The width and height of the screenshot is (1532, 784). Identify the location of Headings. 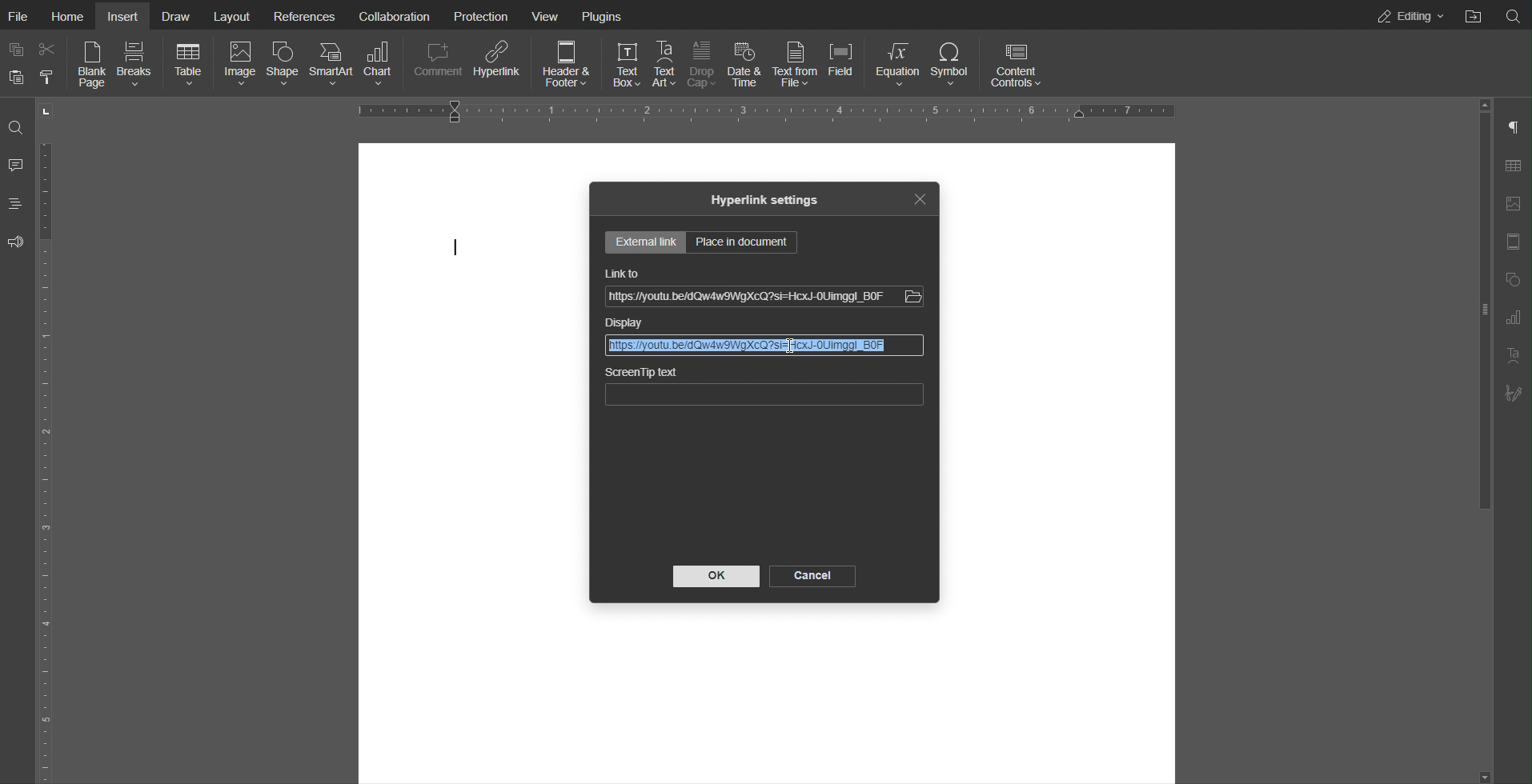
(14, 204).